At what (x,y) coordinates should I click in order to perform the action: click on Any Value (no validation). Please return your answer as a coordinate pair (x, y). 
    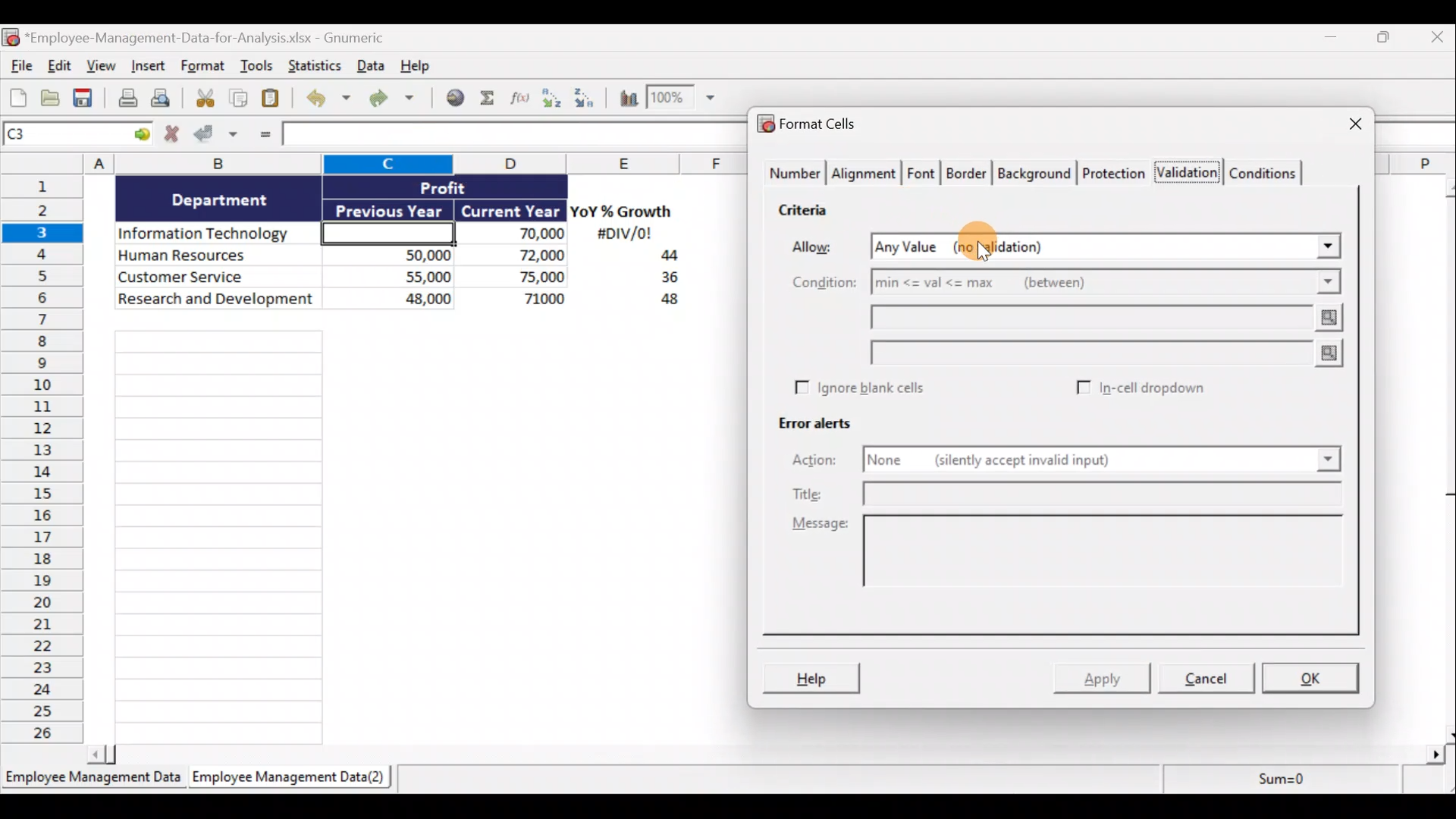
    Looking at the image, I should click on (1018, 247).